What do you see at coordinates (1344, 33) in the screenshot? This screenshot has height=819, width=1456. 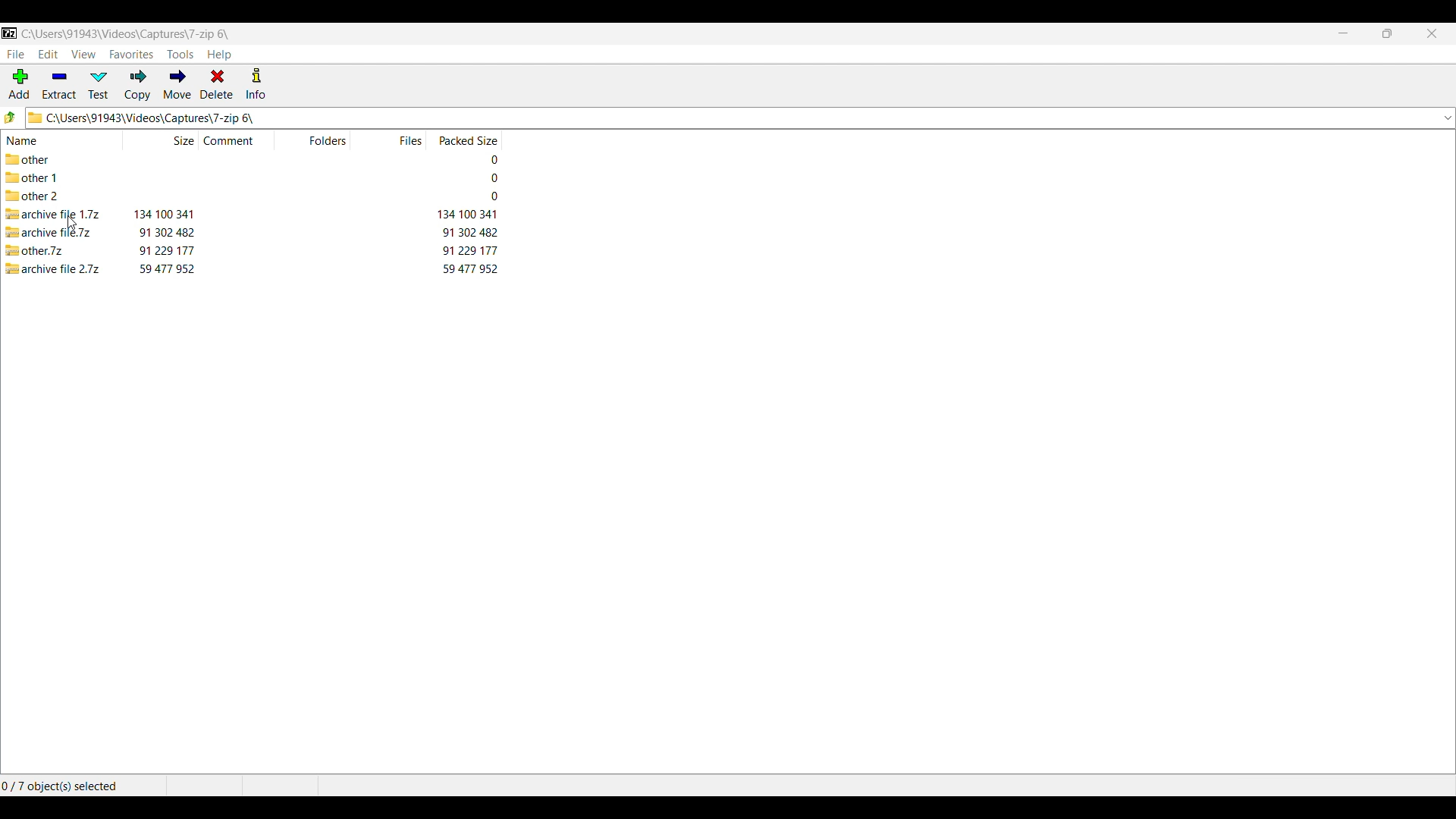 I see `Minimize` at bounding box center [1344, 33].